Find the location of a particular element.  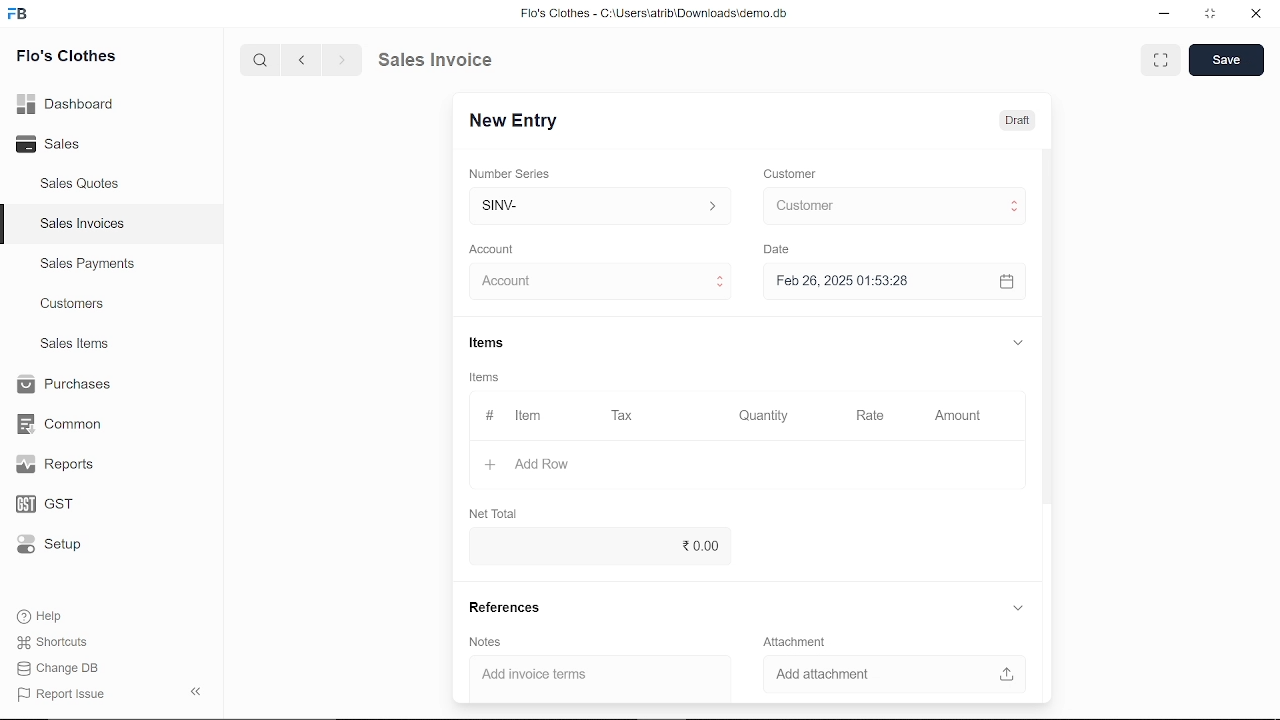

Help is located at coordinates (53, 616).